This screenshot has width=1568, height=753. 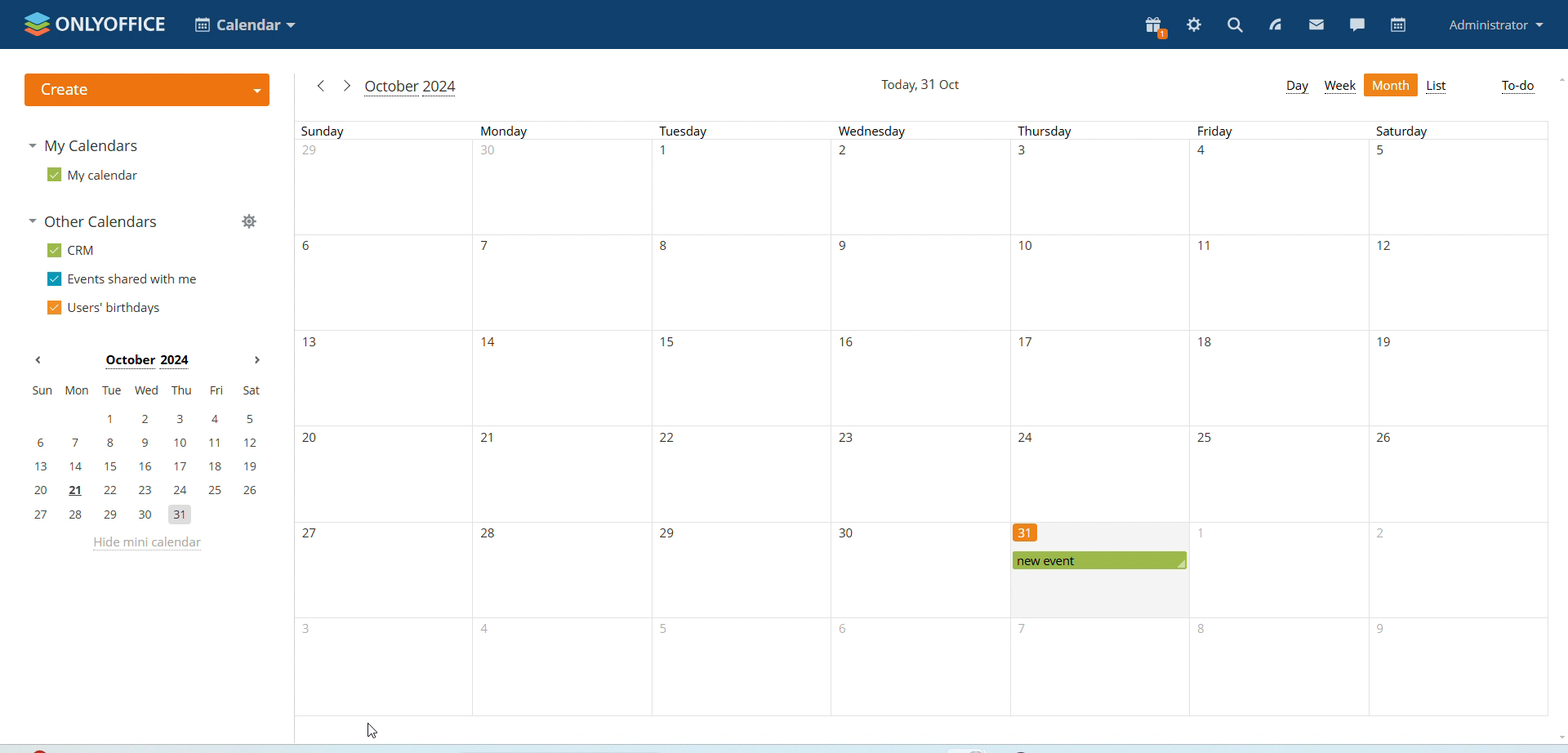 What do you see at coordinates (146, 545) in the screenshot?
I see `hide mini calendar` at bounding box center [146, 545].